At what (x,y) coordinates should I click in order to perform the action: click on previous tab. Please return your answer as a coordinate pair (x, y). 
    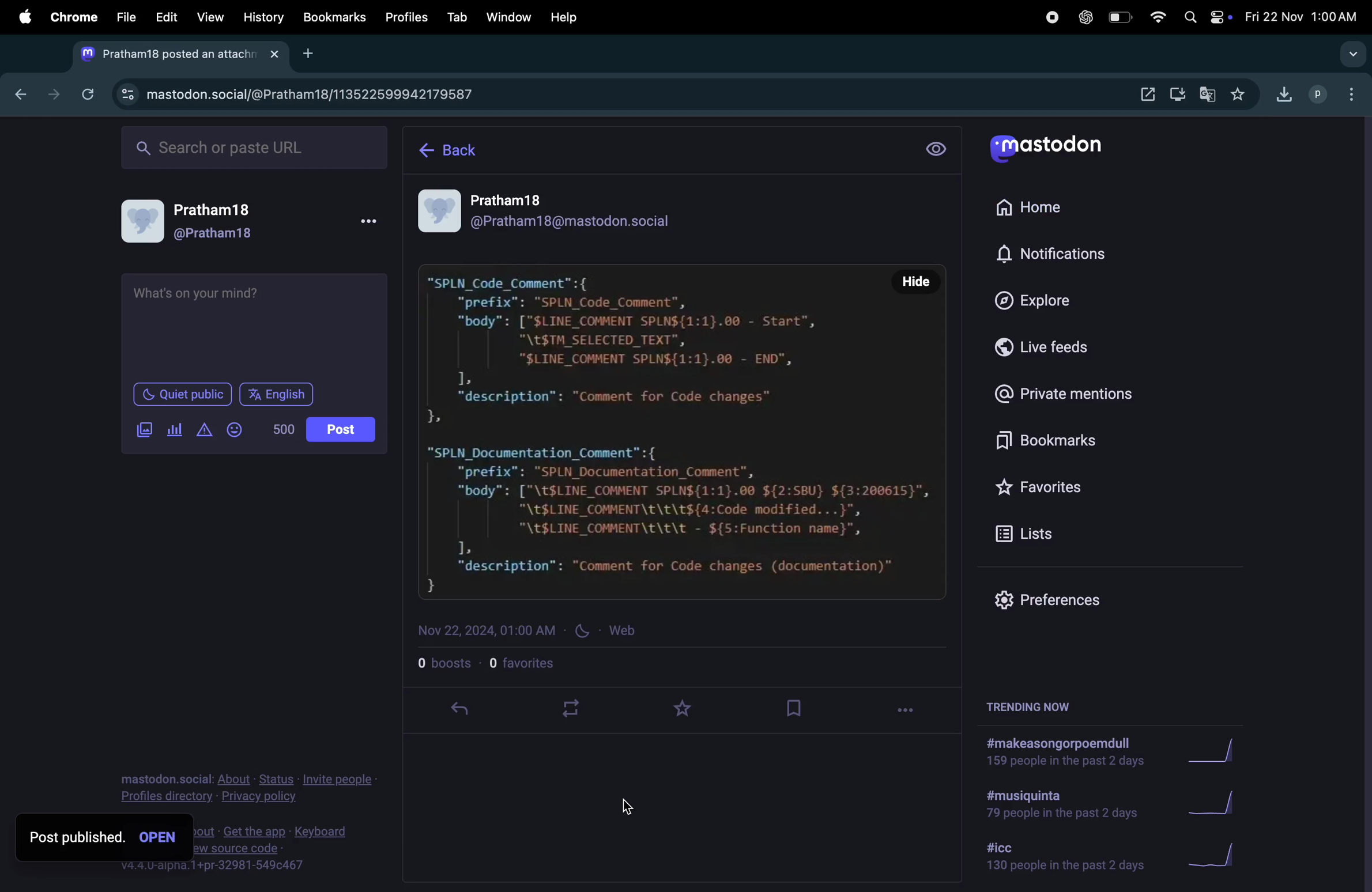
    Looking at the image, I should click on (22, 96).